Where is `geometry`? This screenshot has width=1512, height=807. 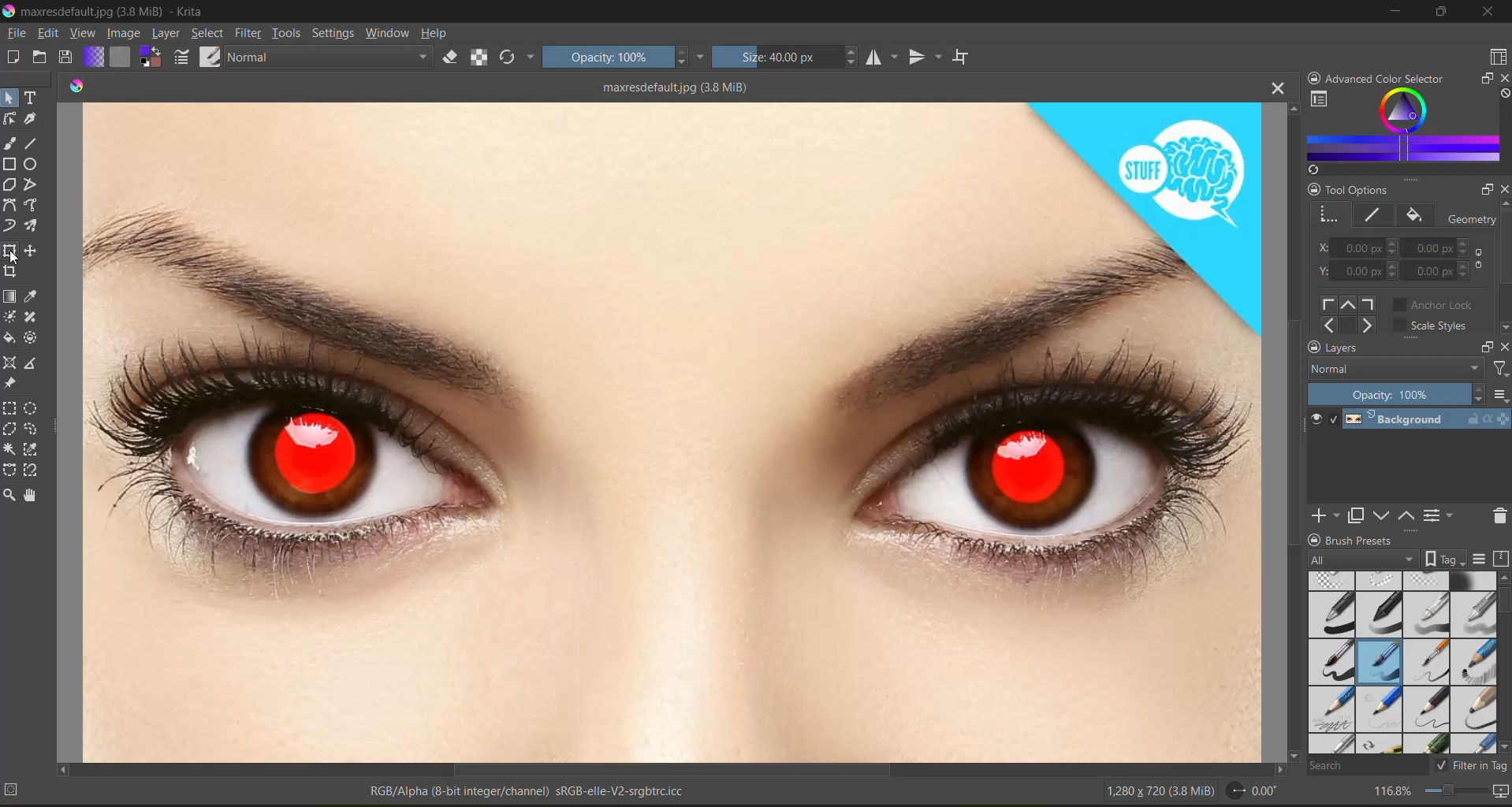 geometry is located at coordinates (1330, 217).